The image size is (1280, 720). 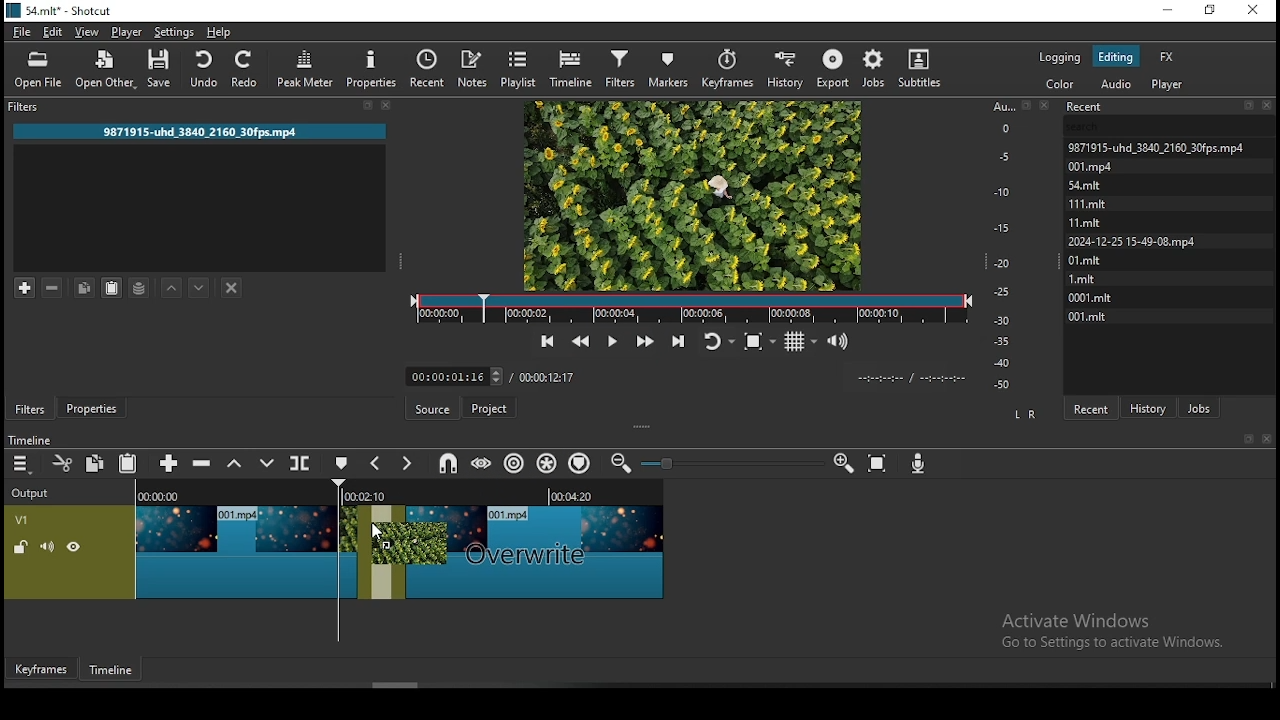 I want to click on zoom in or zoom out button, so click(x=730, y=463).